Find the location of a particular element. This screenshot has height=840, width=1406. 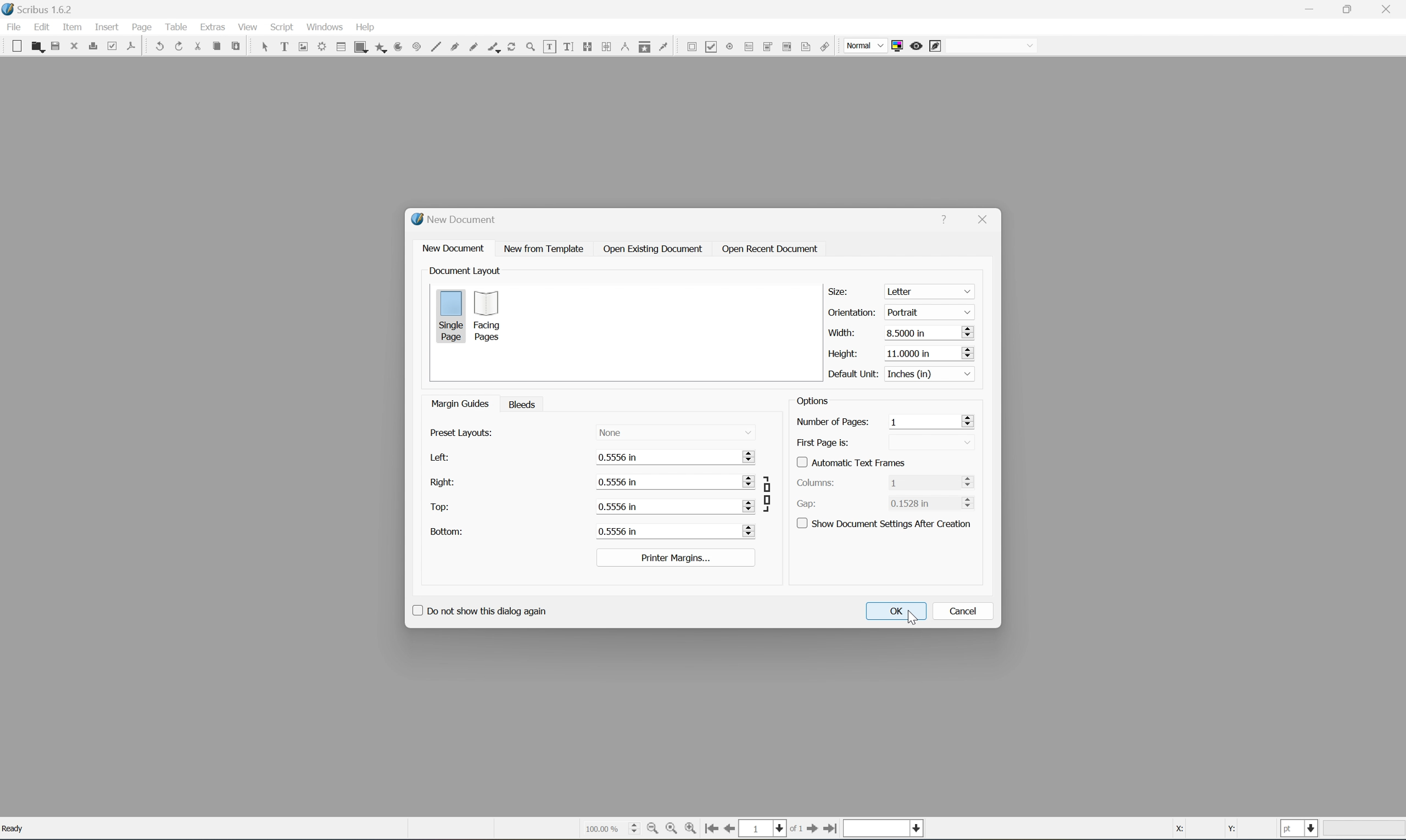

pdf push button is located at coordinates (691, 46).